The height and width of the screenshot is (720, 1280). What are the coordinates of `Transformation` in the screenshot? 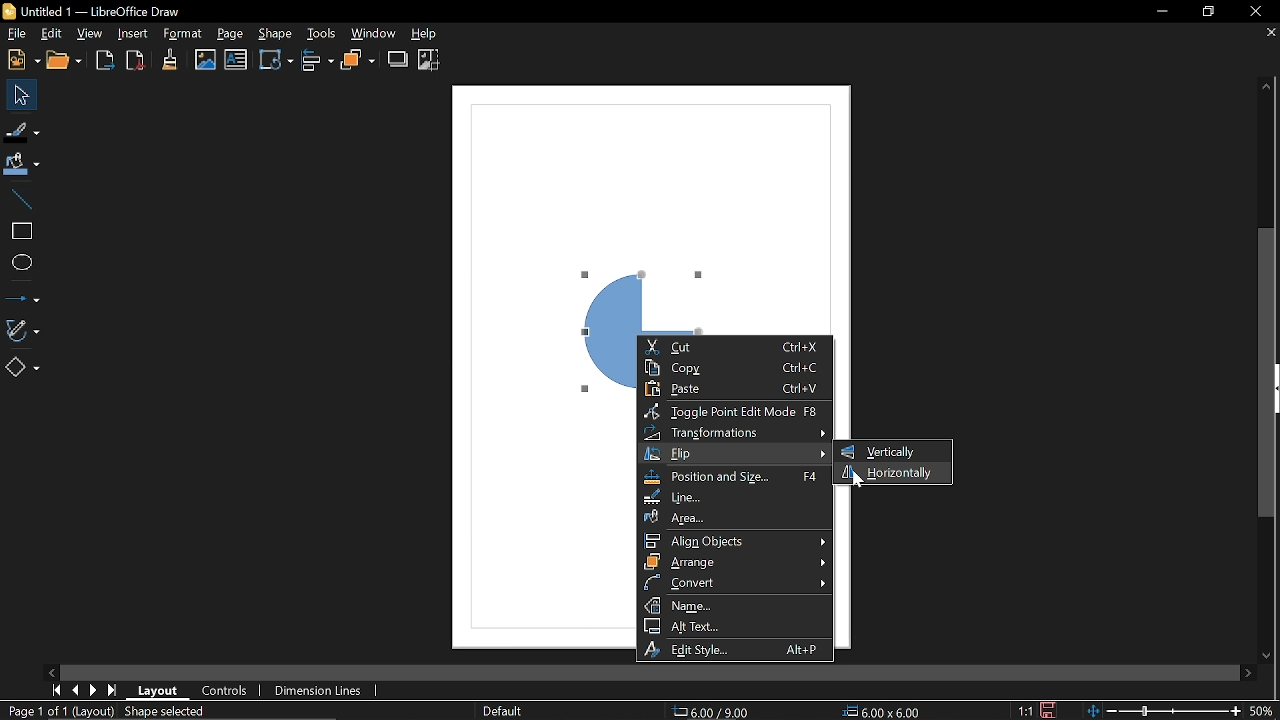 It's located at (733, 433).